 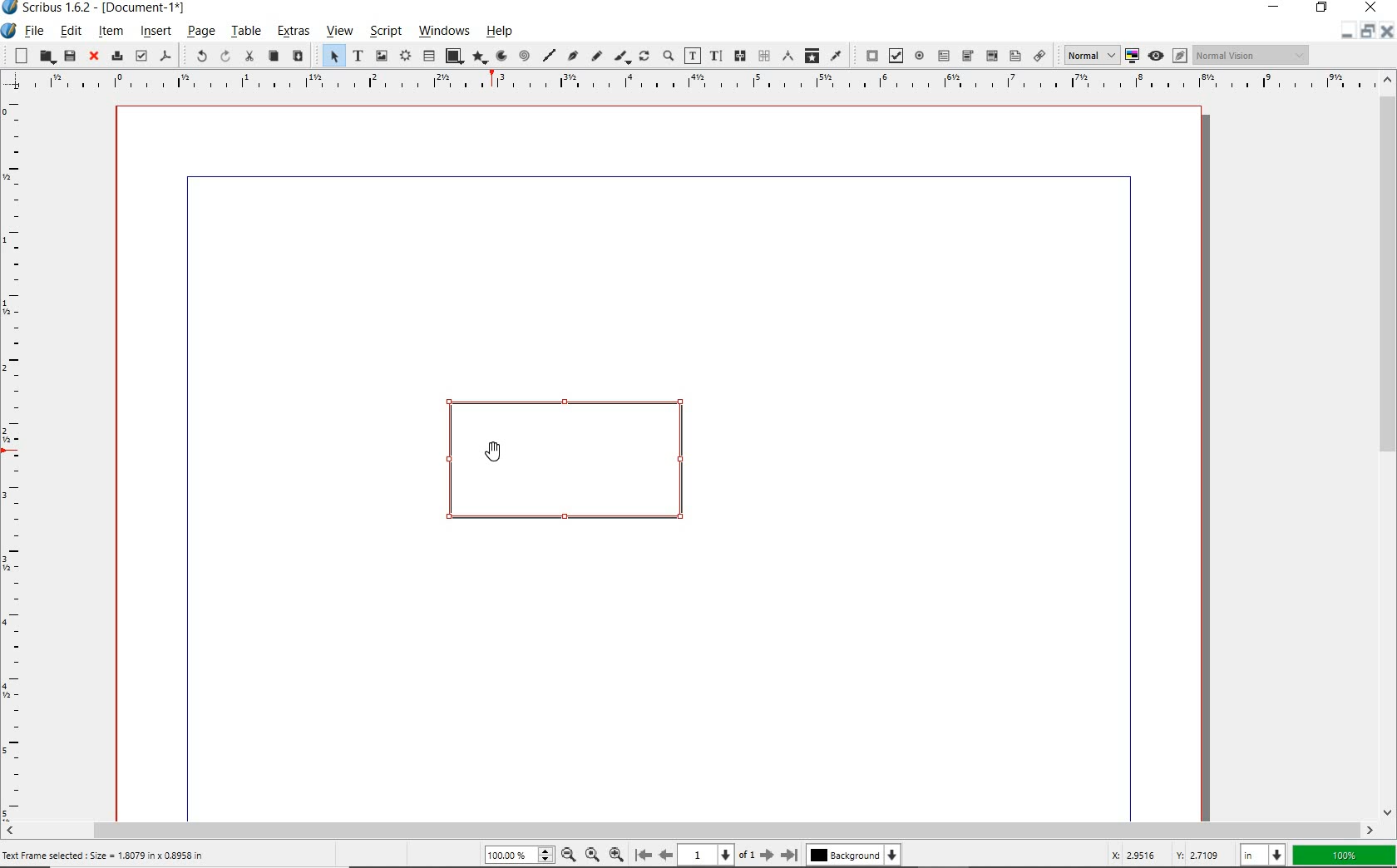 What do you see at coordinates (644, 57) in the screenshot?
I see `rotate item` at bounding box center [644, 57].